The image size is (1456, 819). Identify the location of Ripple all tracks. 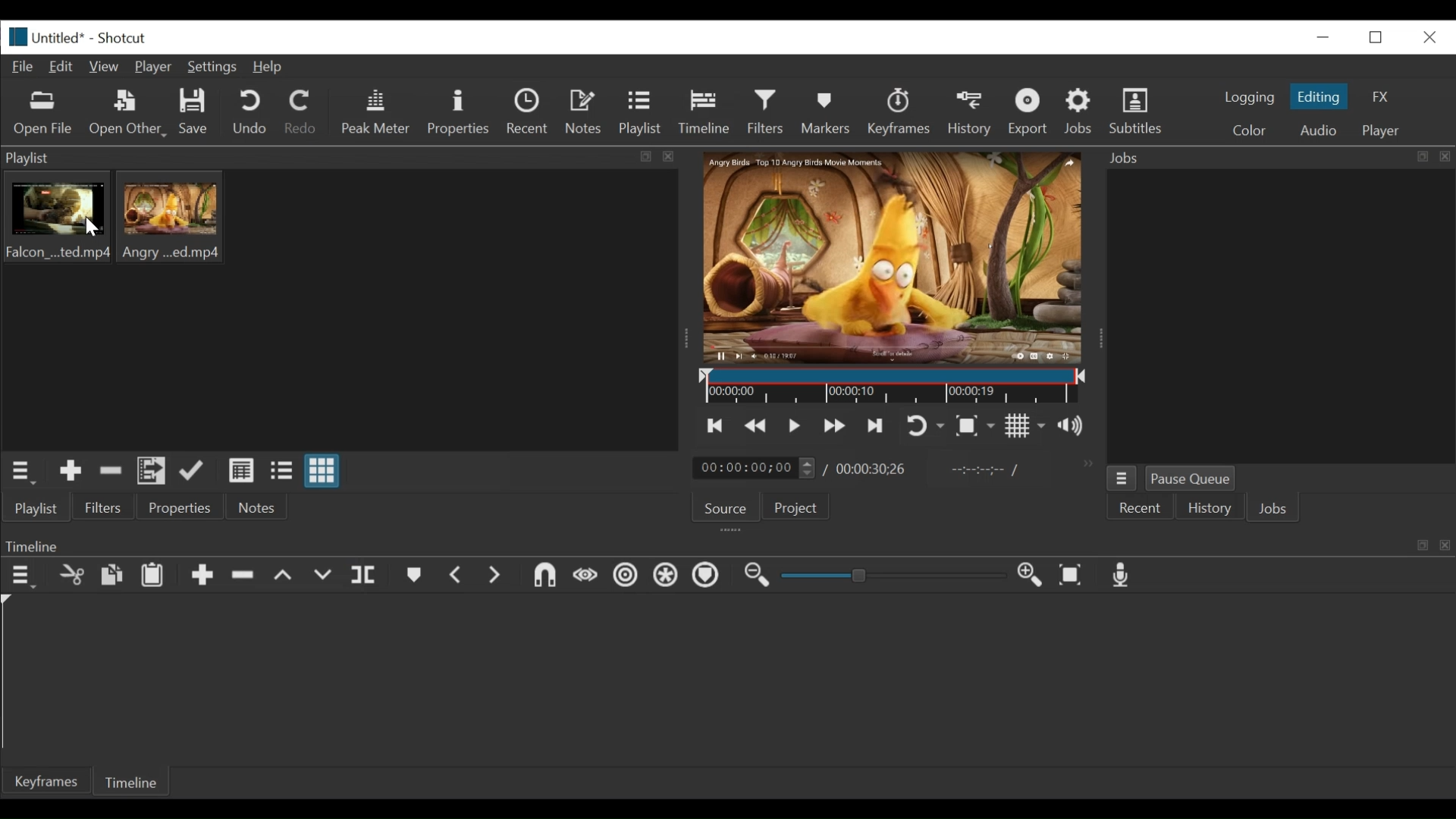
(665, 577).